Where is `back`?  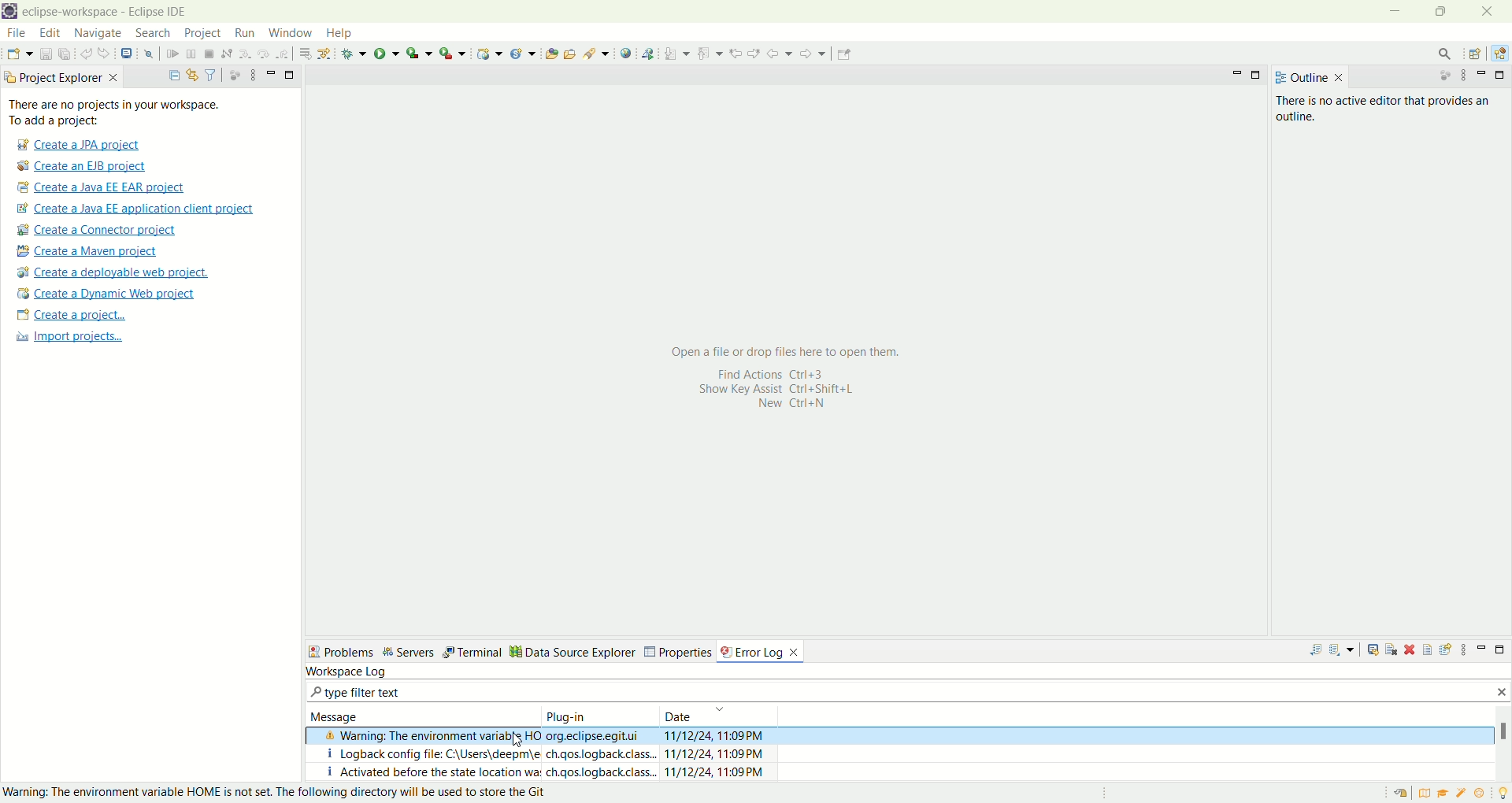 back is located at coordinates (780, 53).